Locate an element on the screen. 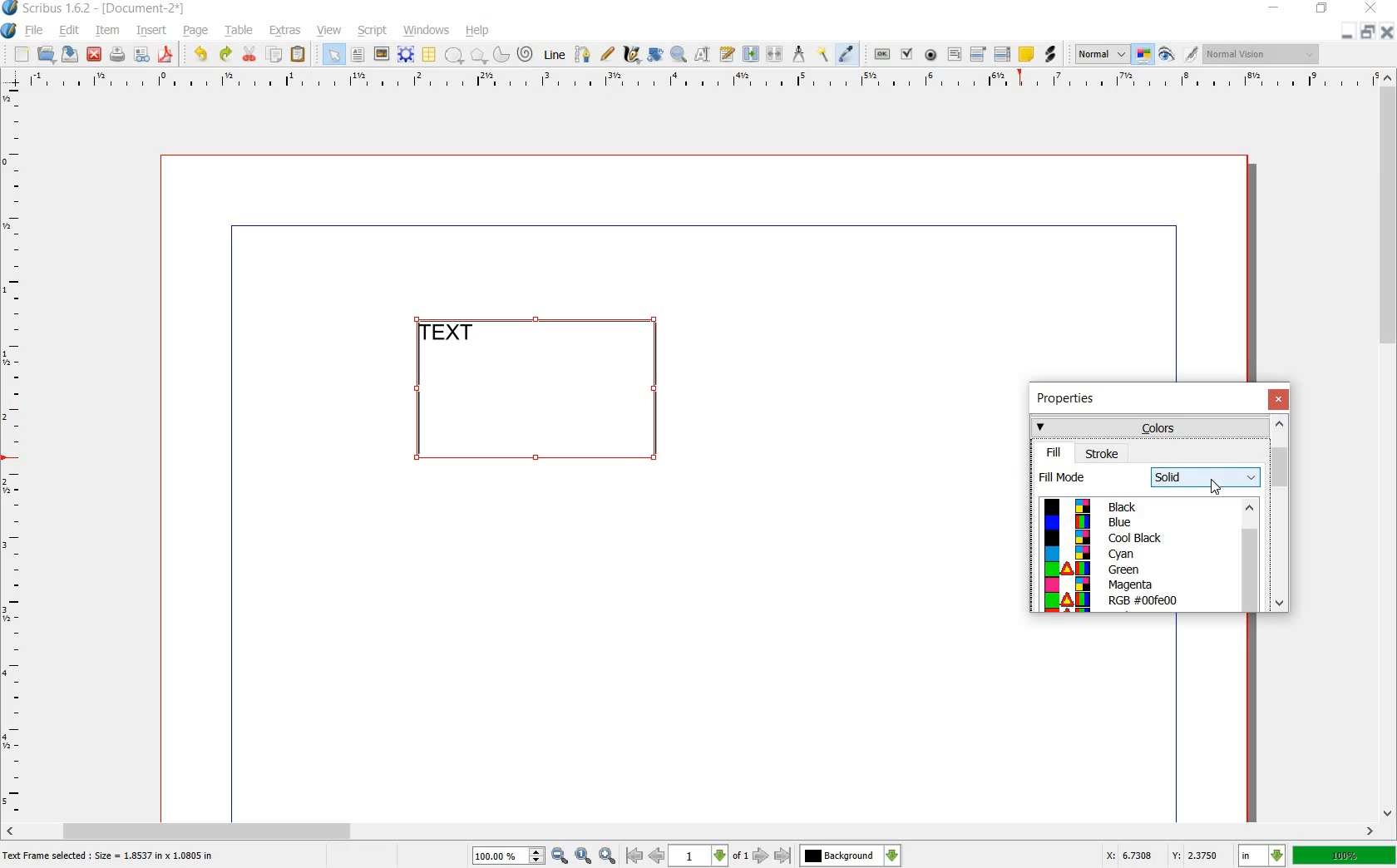  undo is located at coordinates (203, 55).